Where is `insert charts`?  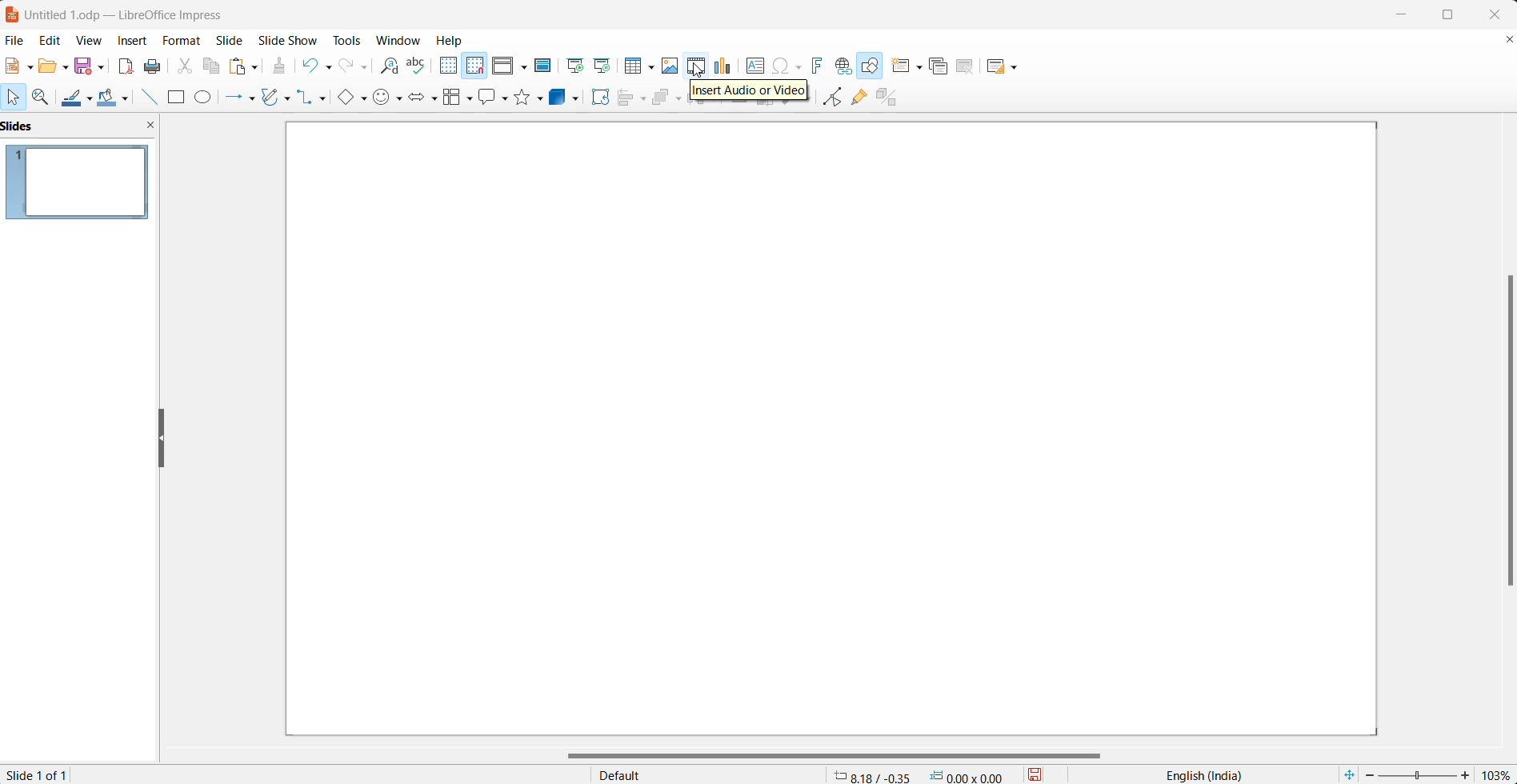 insert charts is located at coordinates (725, 64).